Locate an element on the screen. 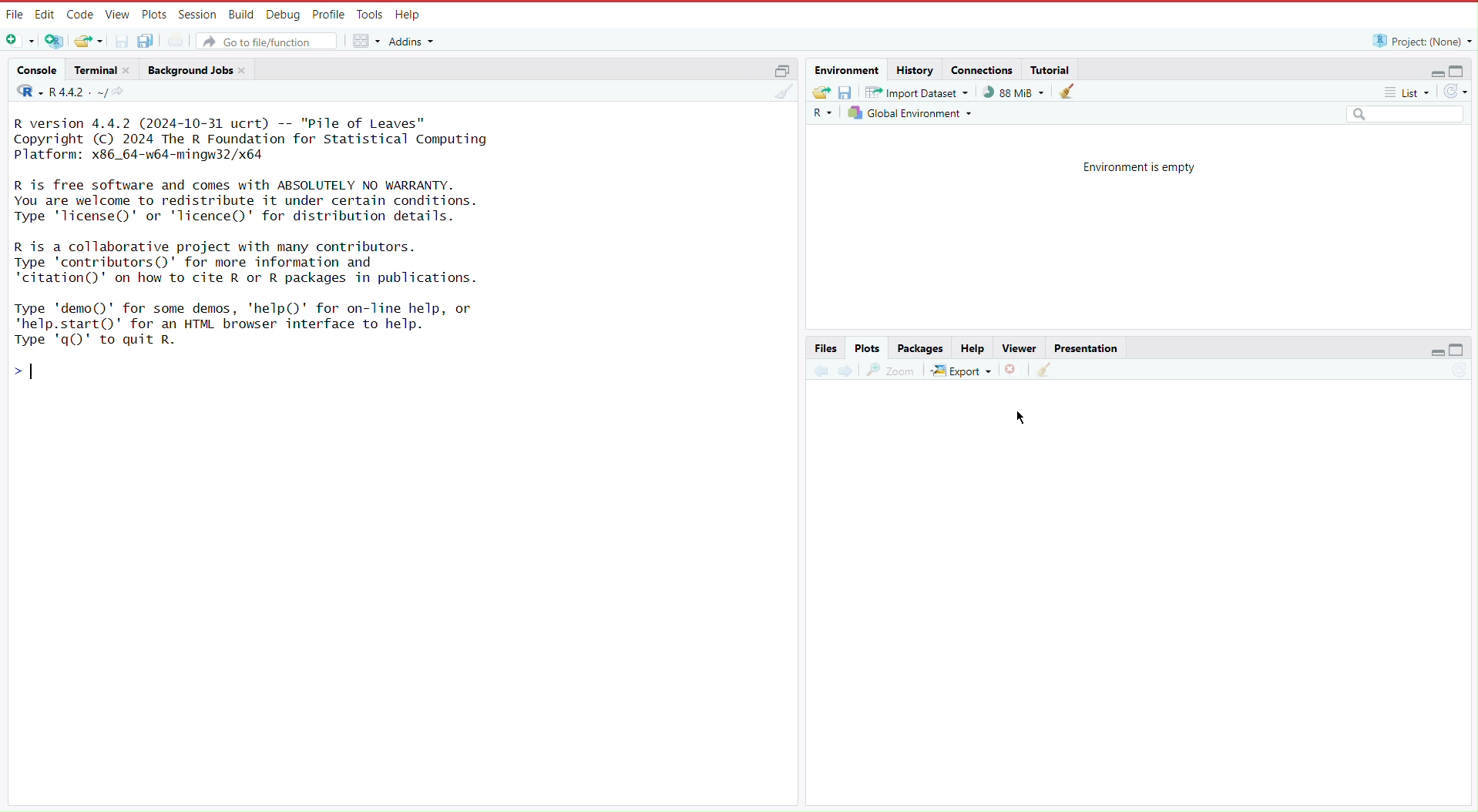 The height and width of the screenshot is (812, 1478). Maximize is located at coordinates (1459, 70).